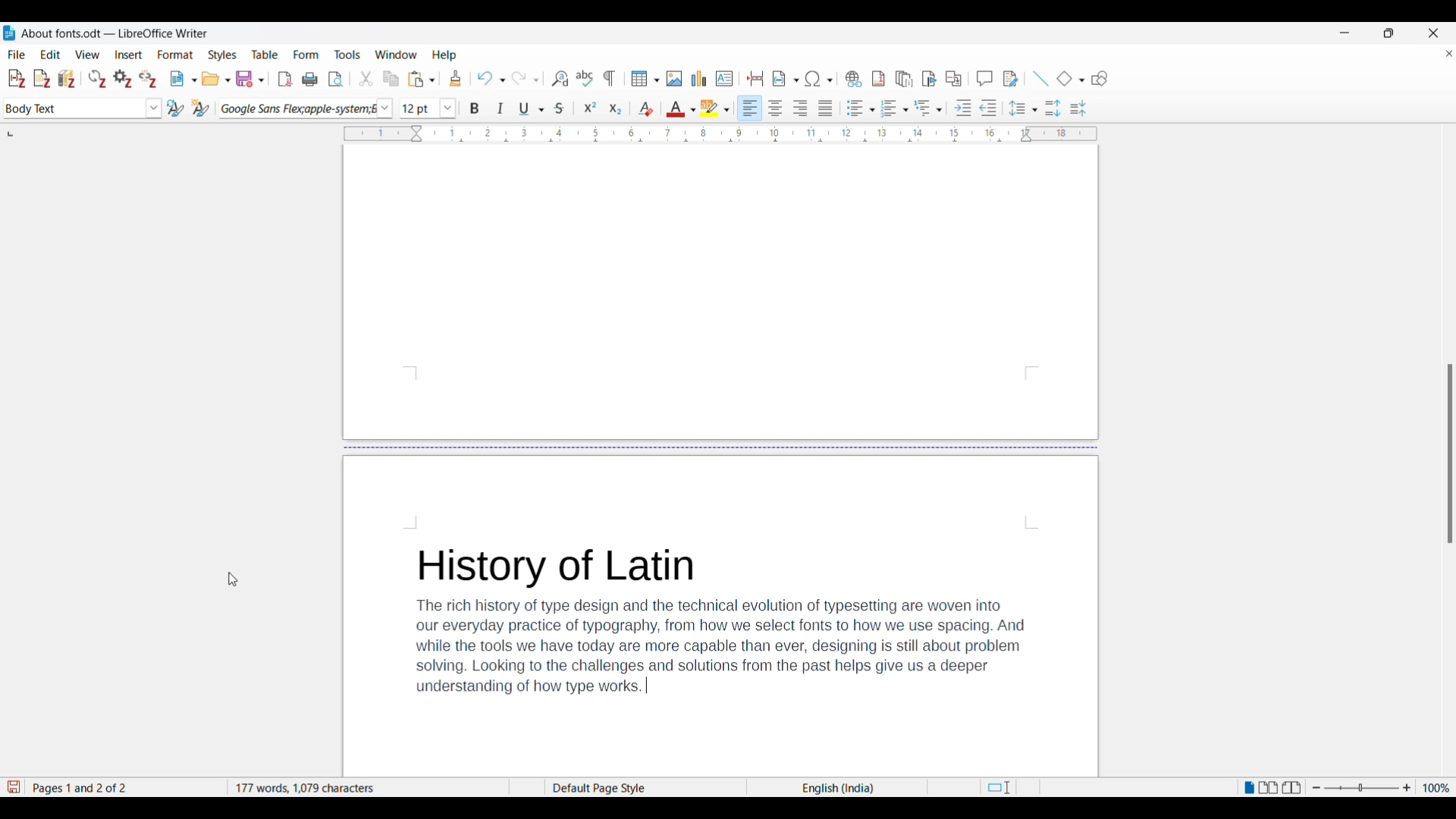 This screenshot has width=1456, height=819. Describe the element at coordinates (184, 79) in the screenshot. I see `New document options` at that location.